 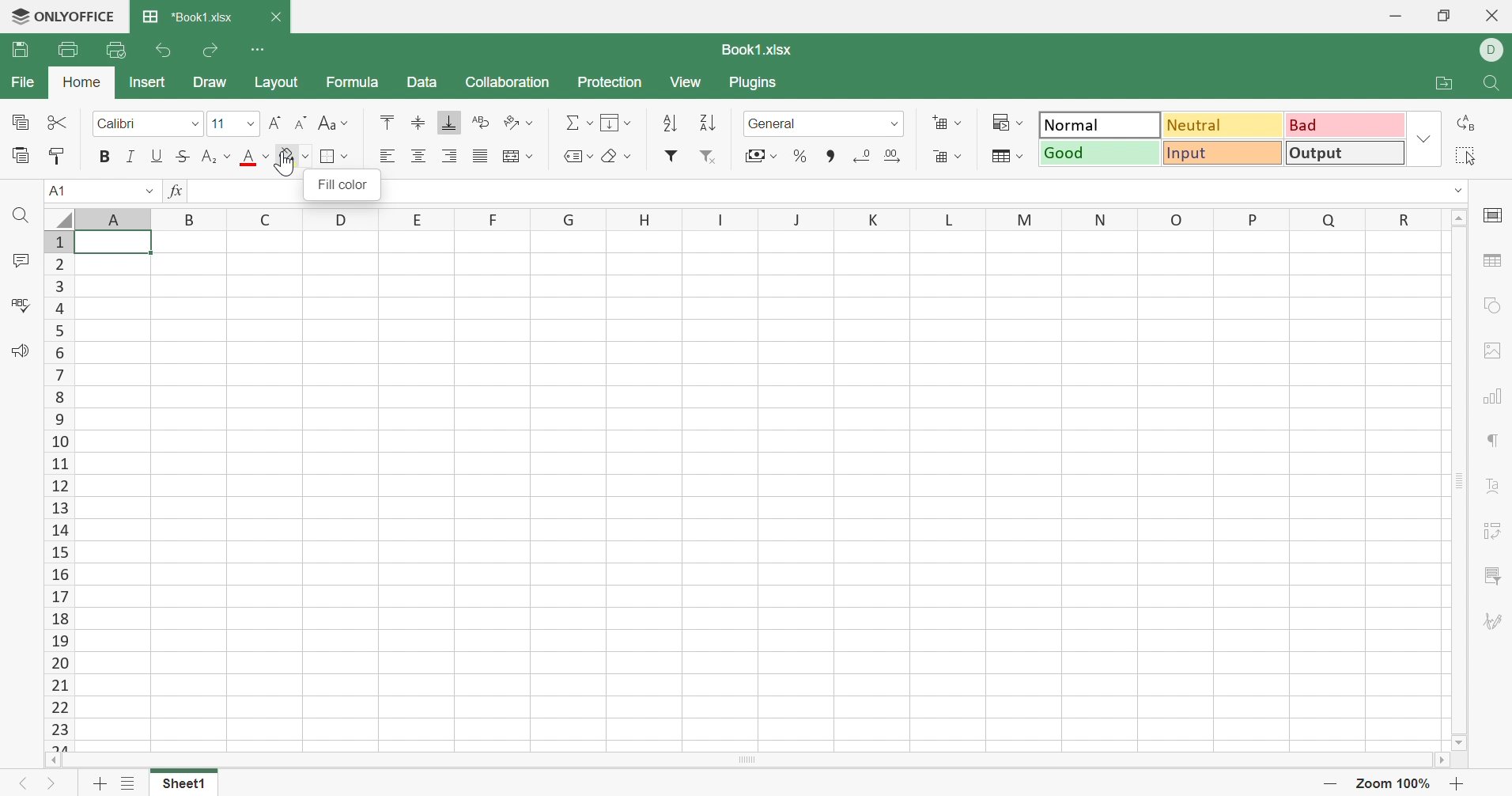 I want to click on Paragraph settings, so click(x=1493, y=440).